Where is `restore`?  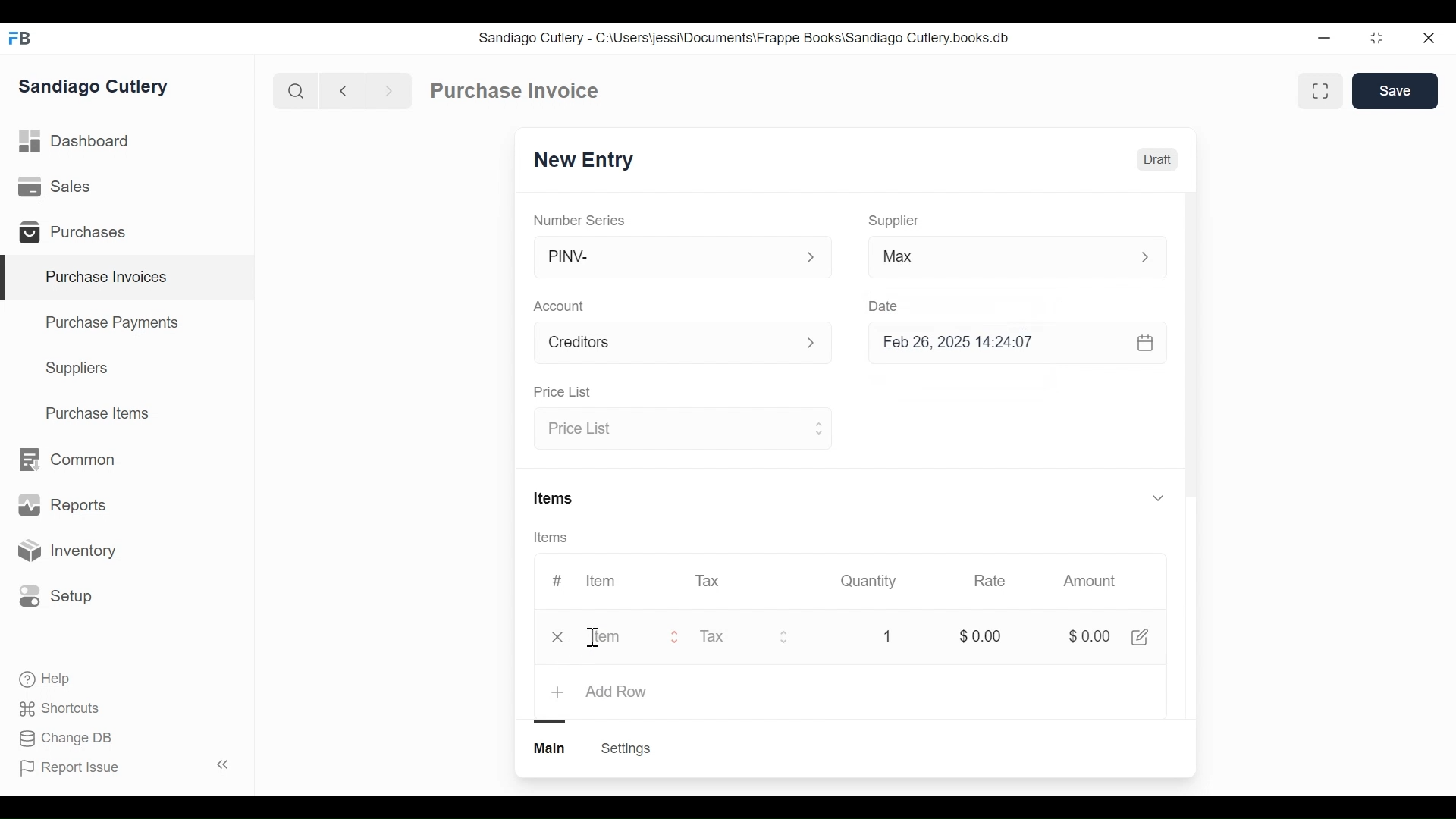
restore is located at coordinates (1375, 39).